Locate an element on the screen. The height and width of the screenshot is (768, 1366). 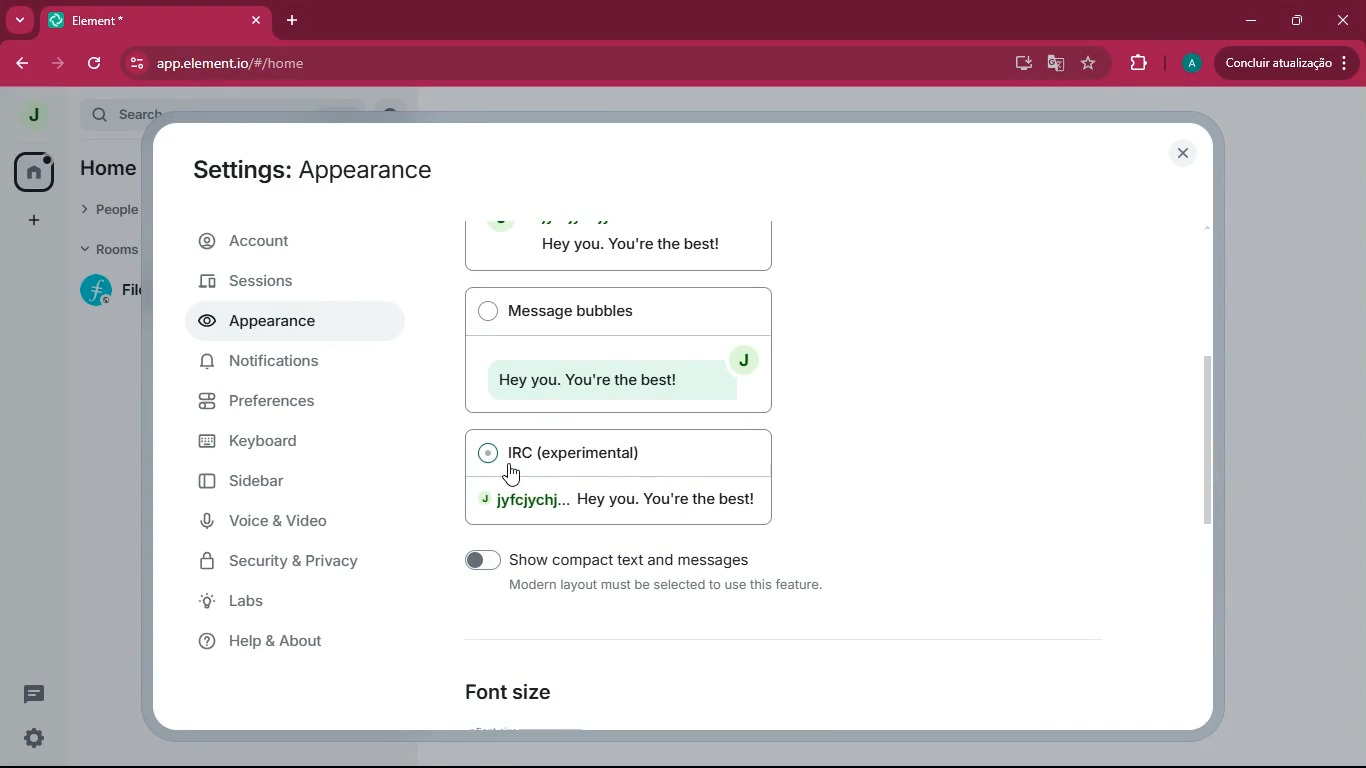
maximize is located at coordinates (1301, 19).